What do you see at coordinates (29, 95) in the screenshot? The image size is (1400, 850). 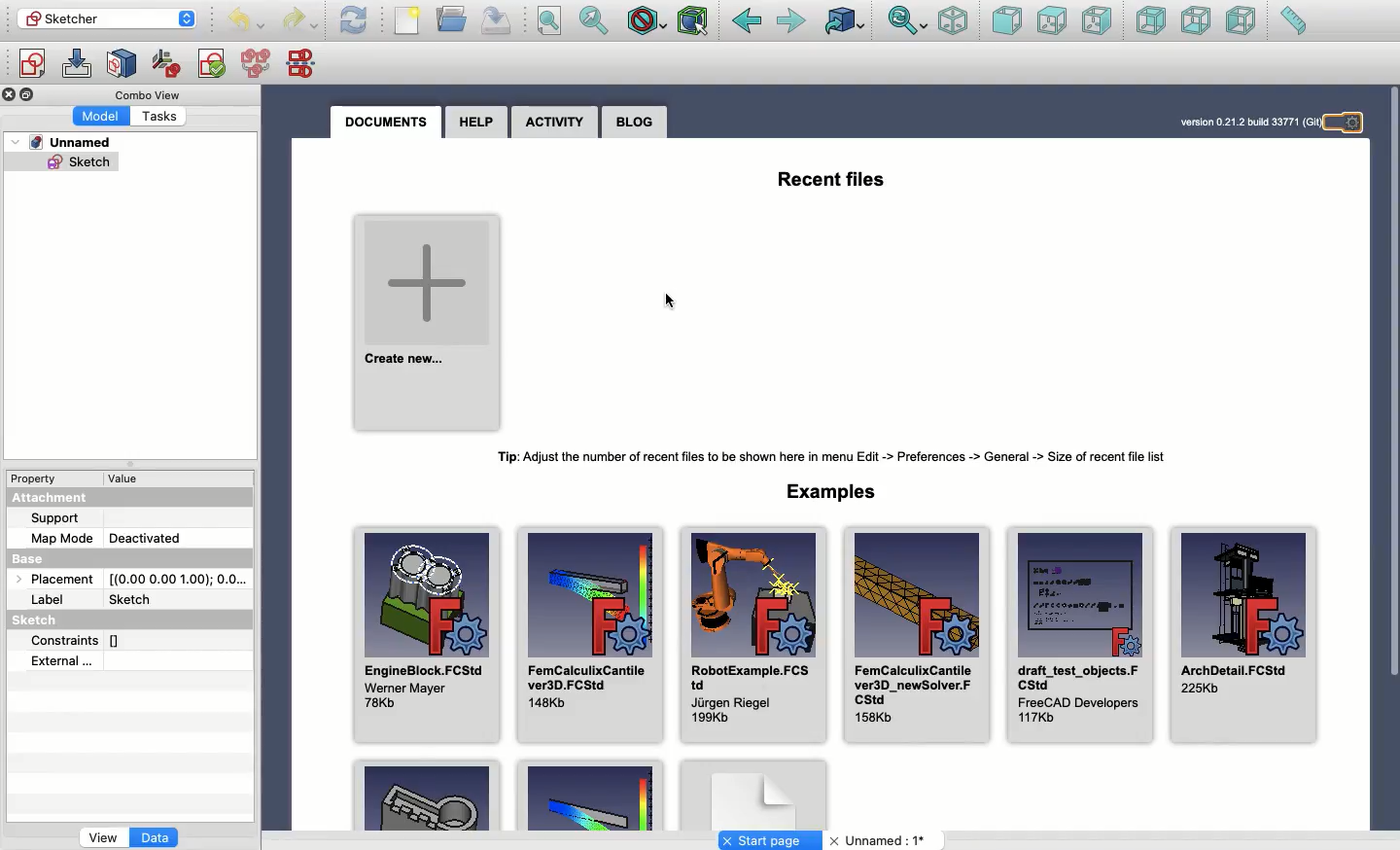 I see `Collapse` at bounding box center [29, 95].